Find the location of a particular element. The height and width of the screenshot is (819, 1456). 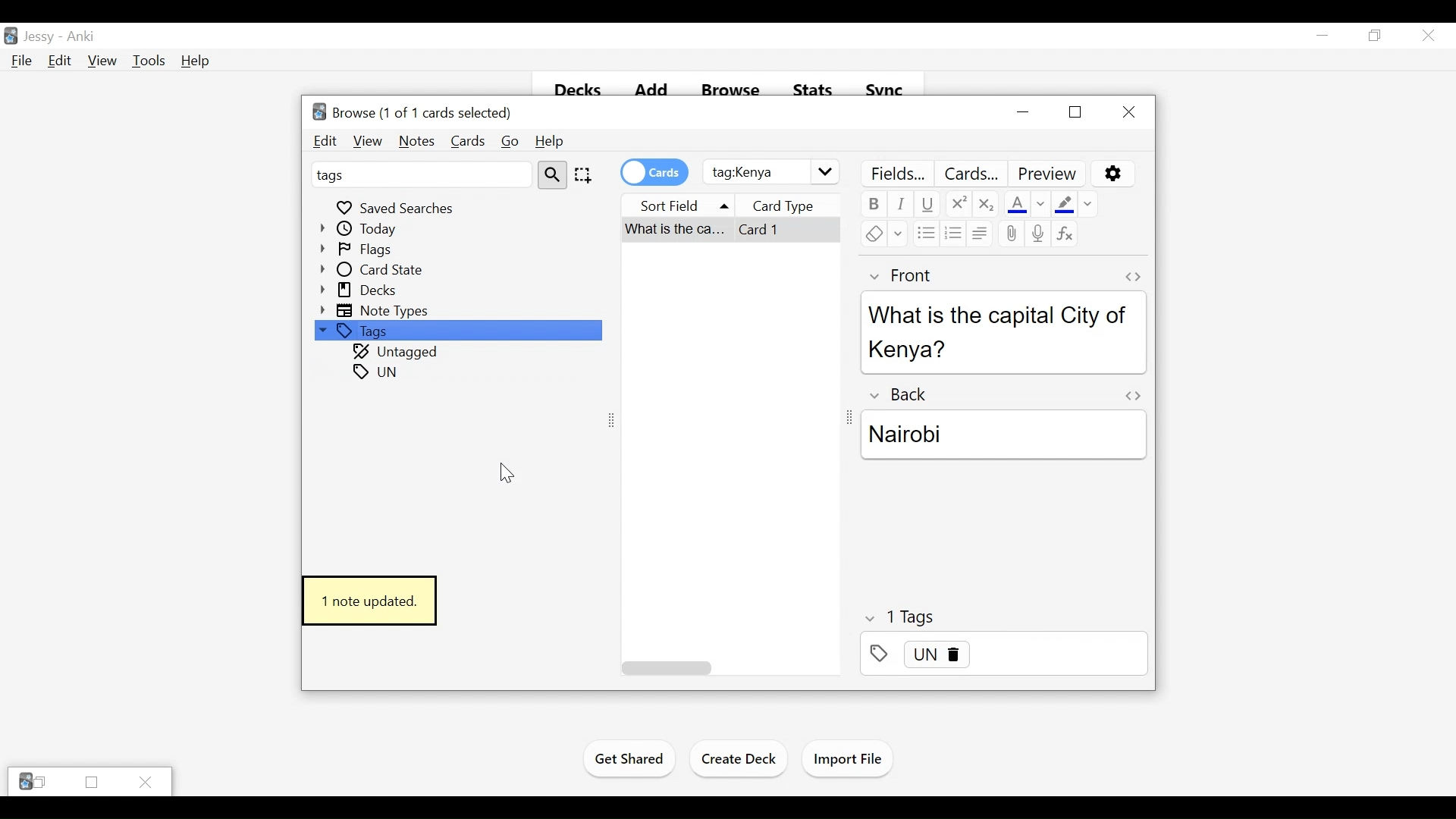

Restore is located at coordinates (90, 783).